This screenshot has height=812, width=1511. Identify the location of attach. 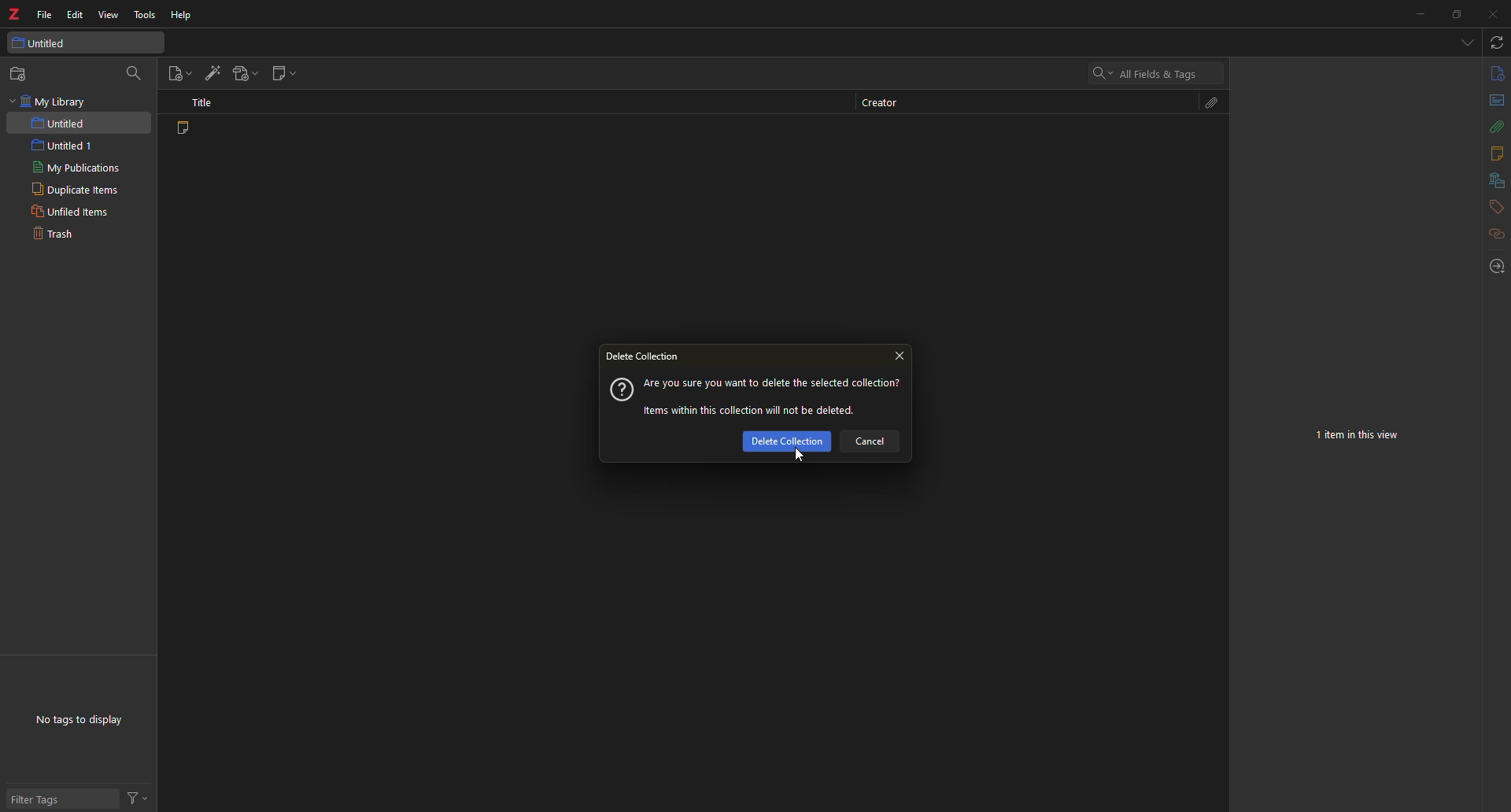
(1214, 105).